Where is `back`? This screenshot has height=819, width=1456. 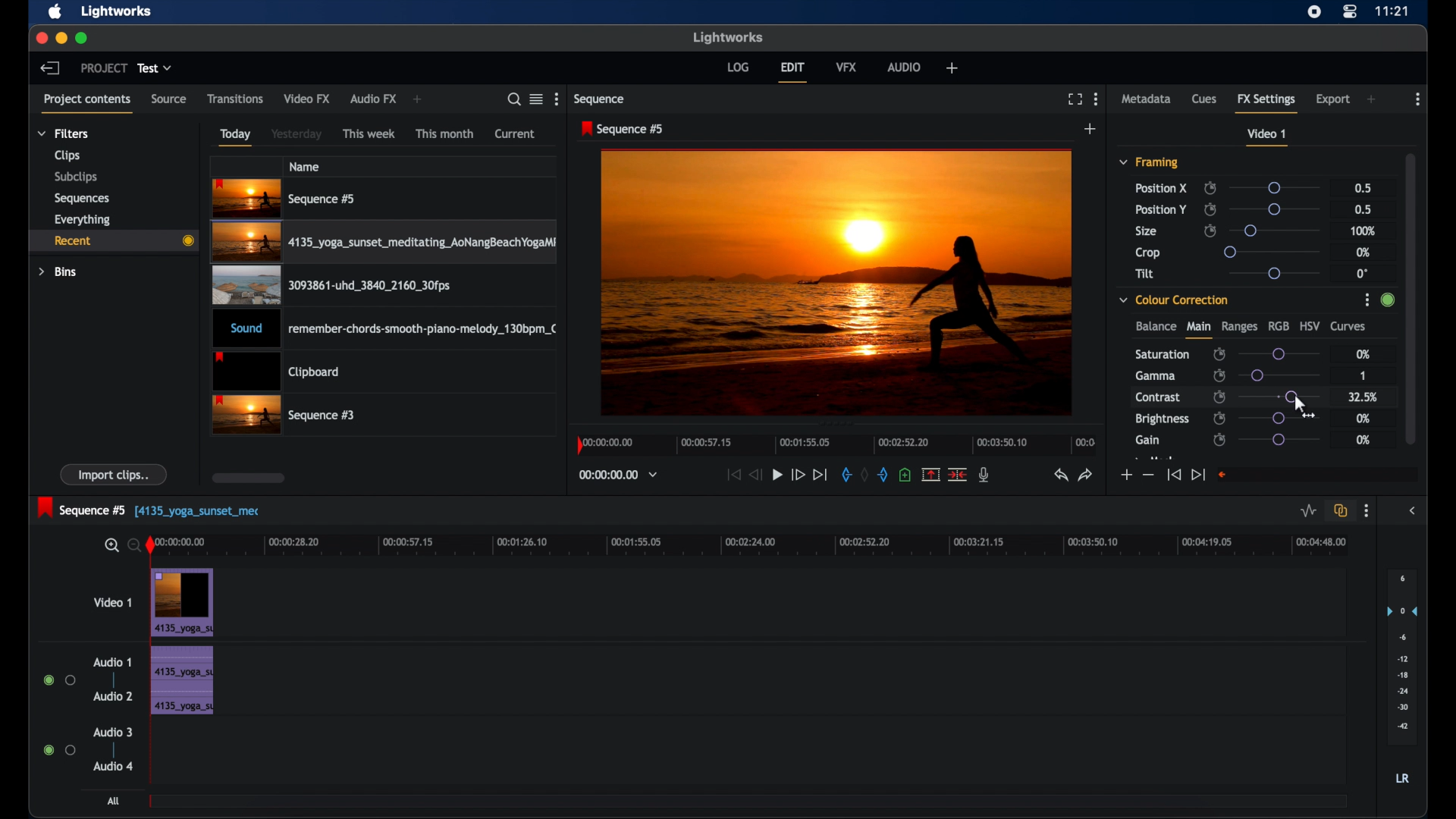
back is located at coordinates (49, 67).